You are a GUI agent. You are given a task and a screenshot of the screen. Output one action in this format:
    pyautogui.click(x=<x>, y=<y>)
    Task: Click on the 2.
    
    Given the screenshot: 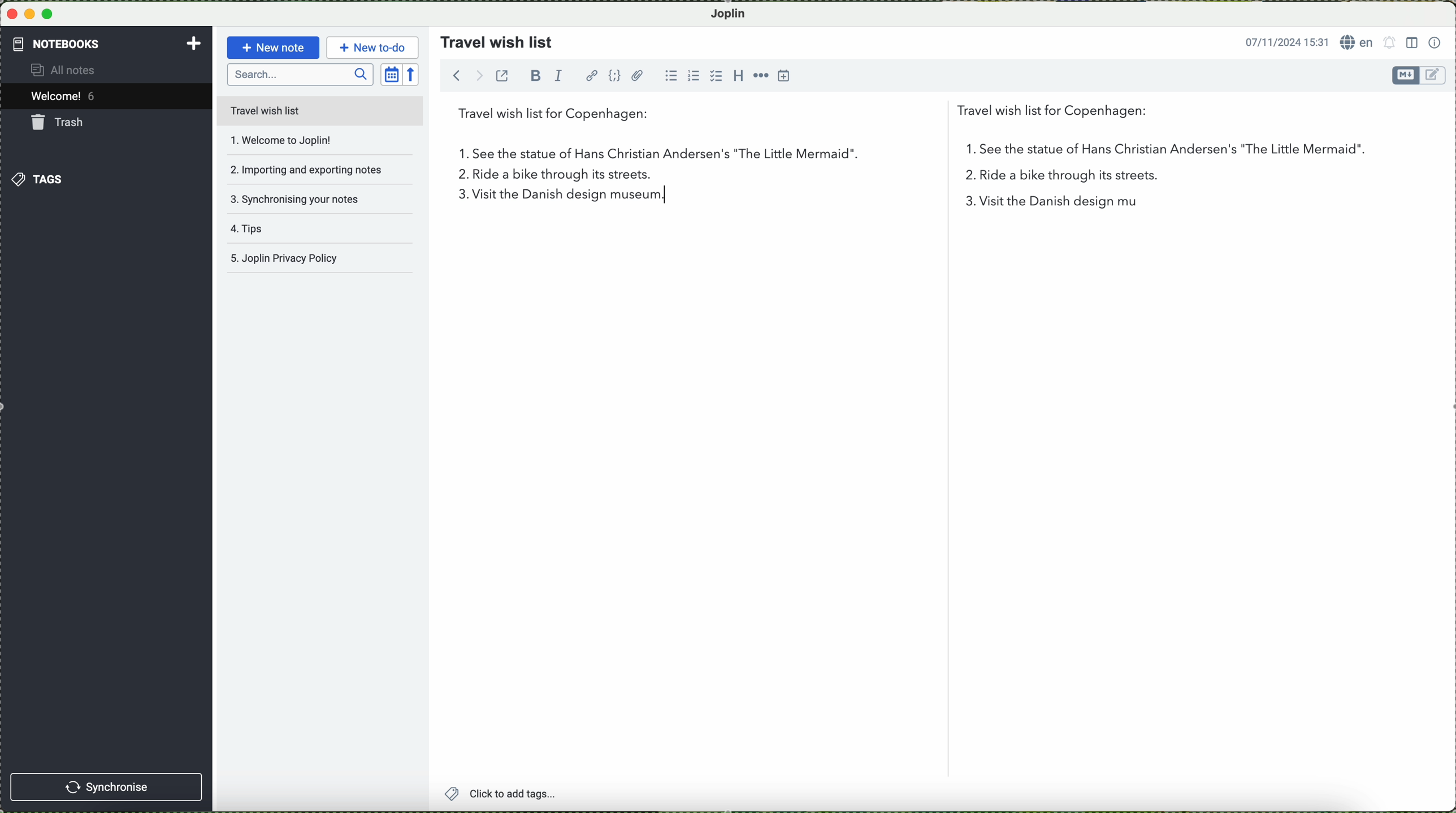 What is the action you would take?
    pyautogui.click(x=458, y=178)
    